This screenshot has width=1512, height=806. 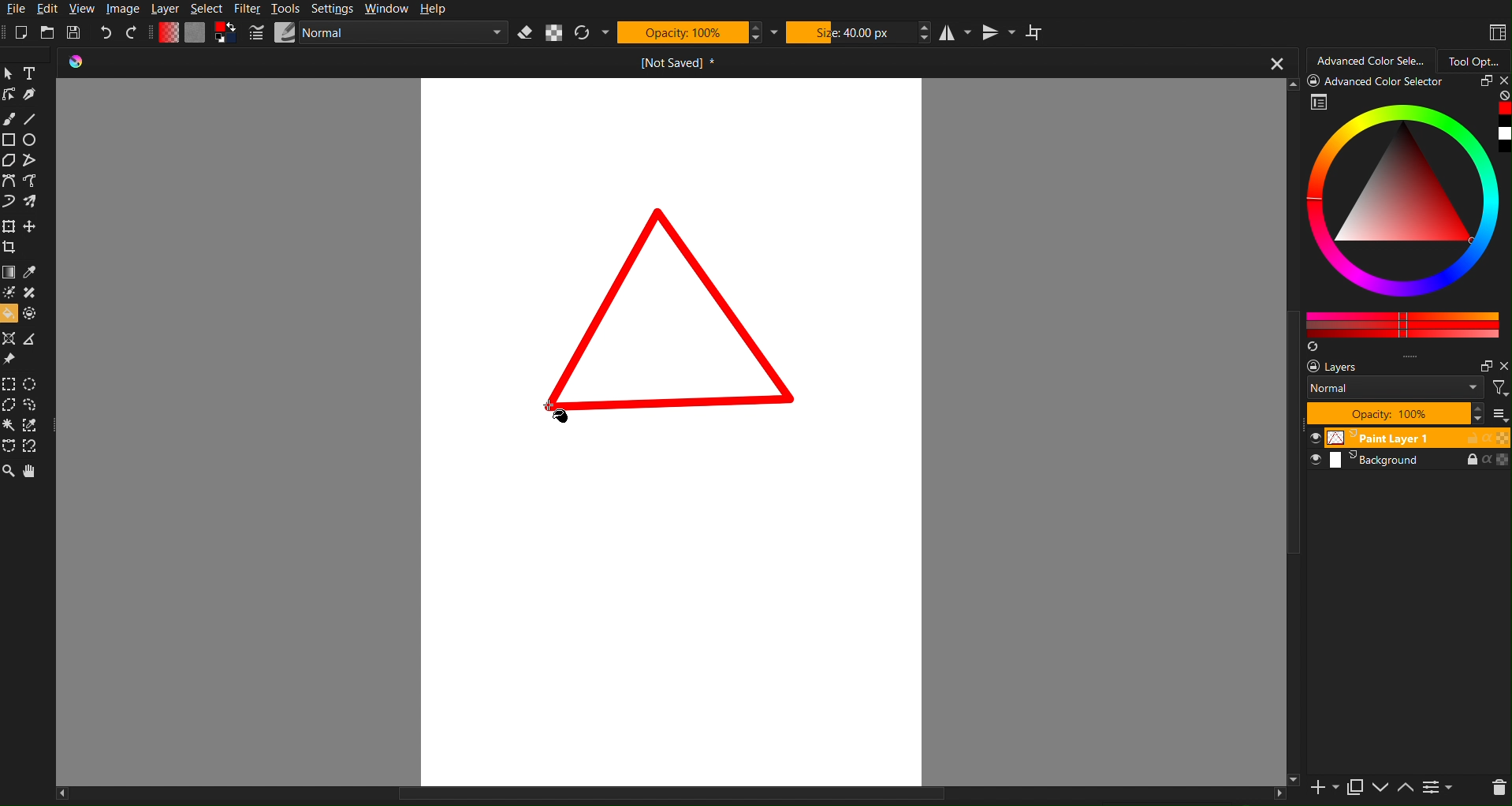 What do you see at coordinates (1372, 58) in the screenshot?
I see `Advanced Color Selector` at bounding box center [1372, 58].